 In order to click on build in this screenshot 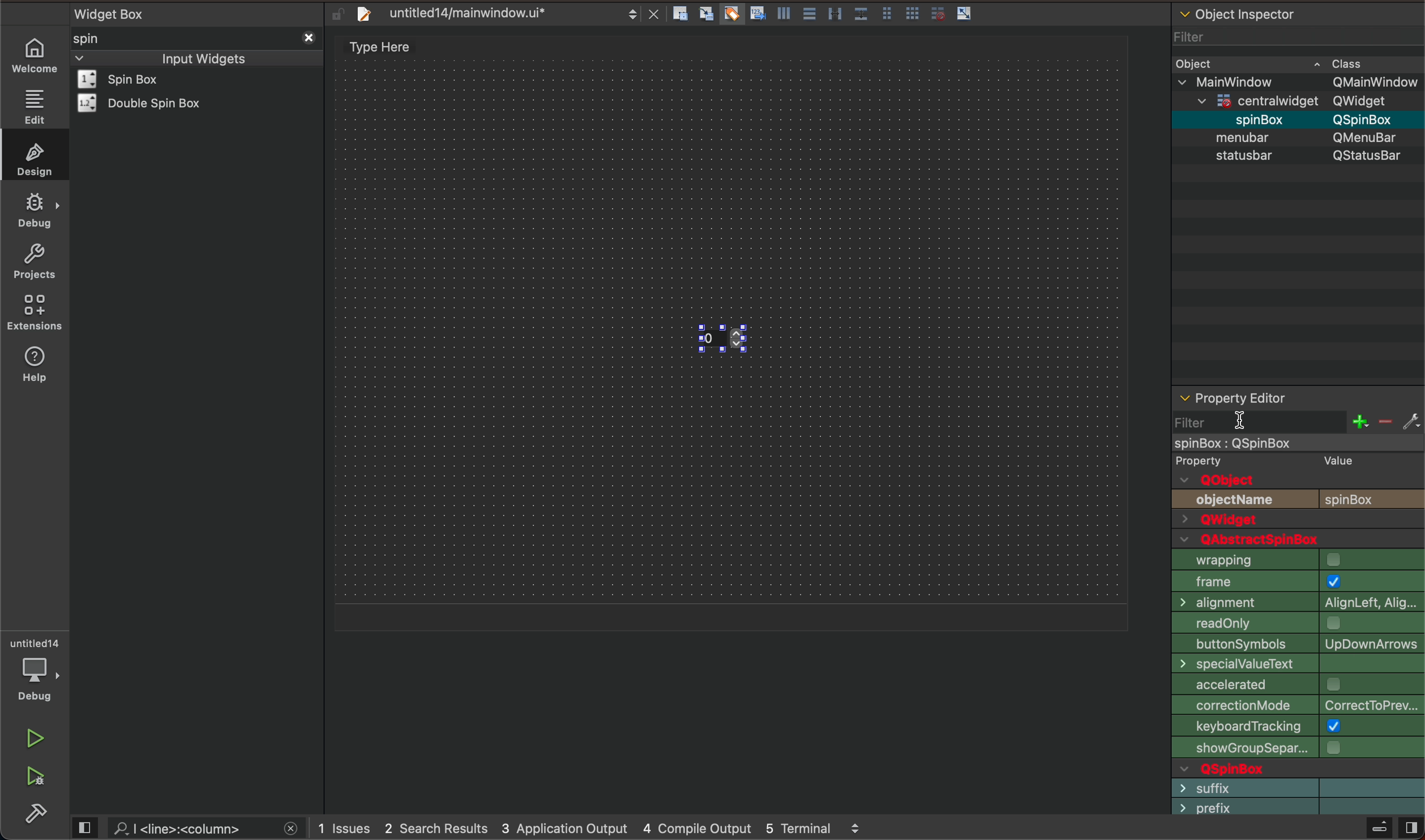, I will do `click(38, 814)`.